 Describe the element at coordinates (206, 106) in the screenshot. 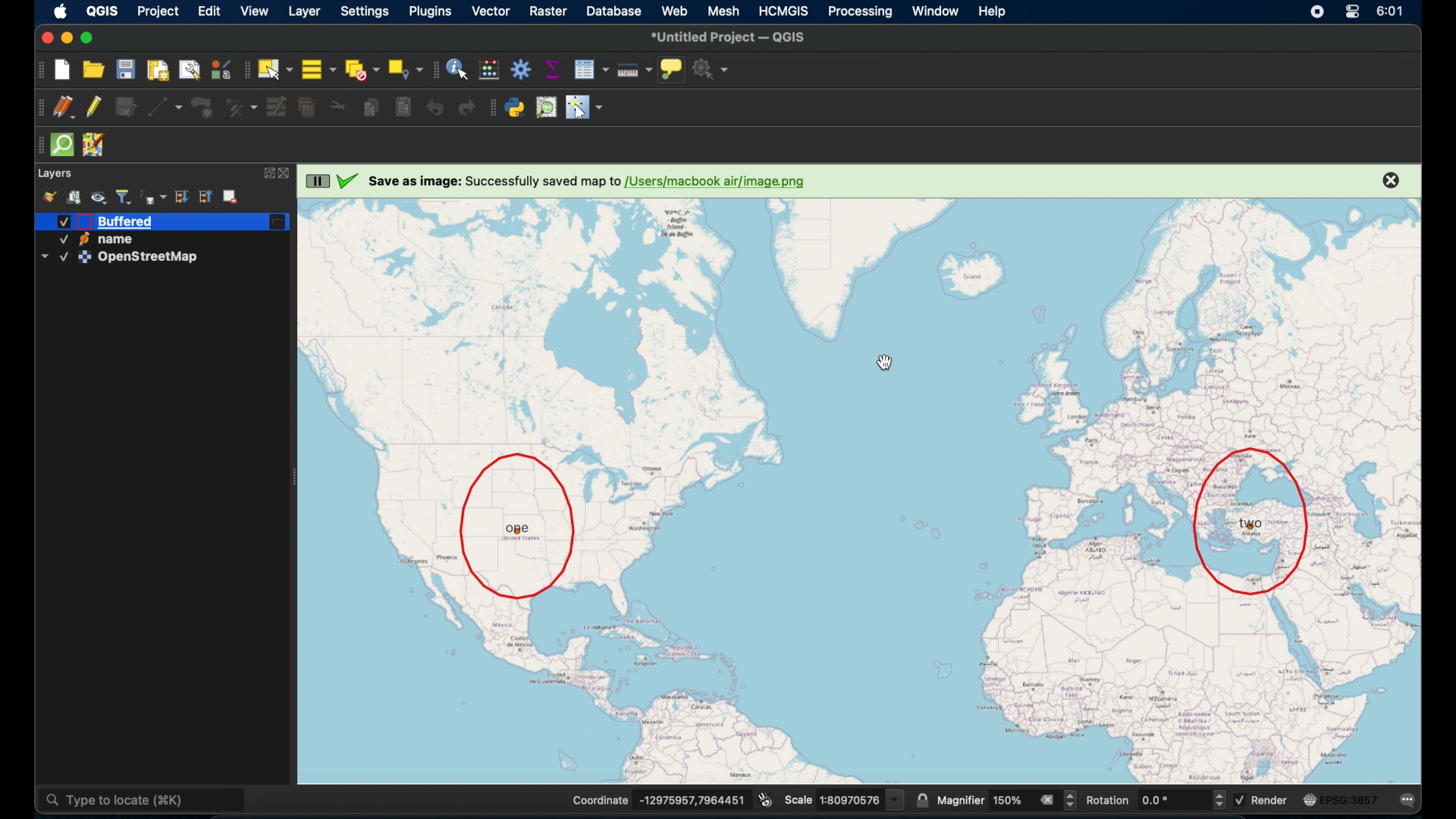

I see `add polygon feature` at that location.